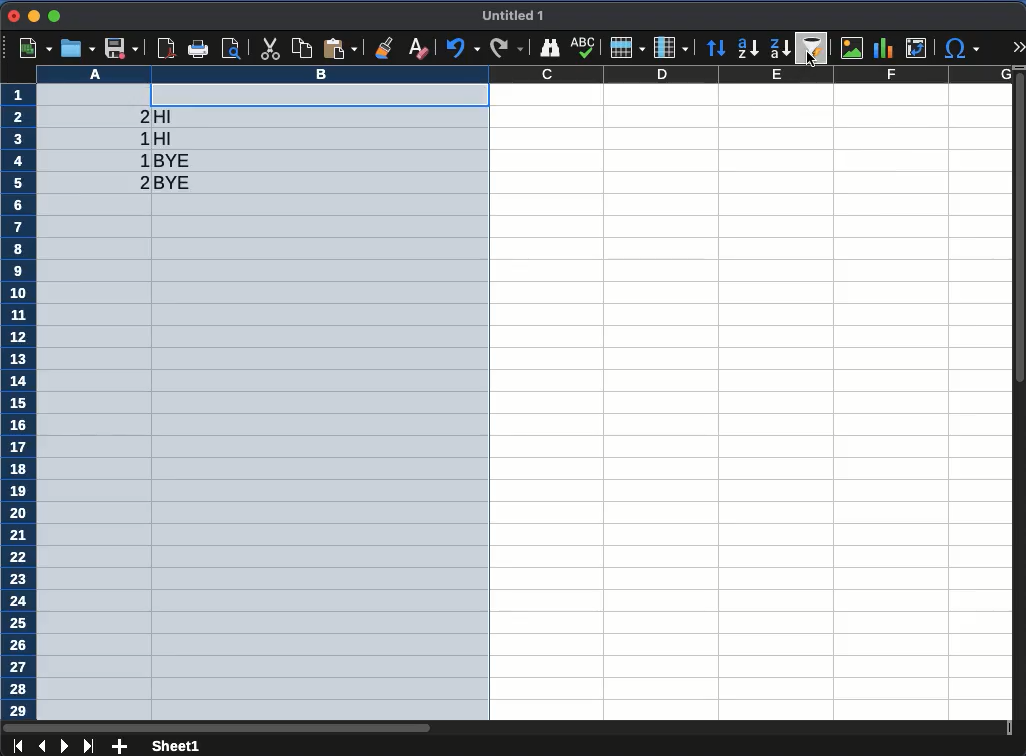 Image resolution: width=1026 pixels, height=756 pixels. What do you see at coordinates (140, 182) in the screenshot?
I see `2` at bounding box center [140, 182].